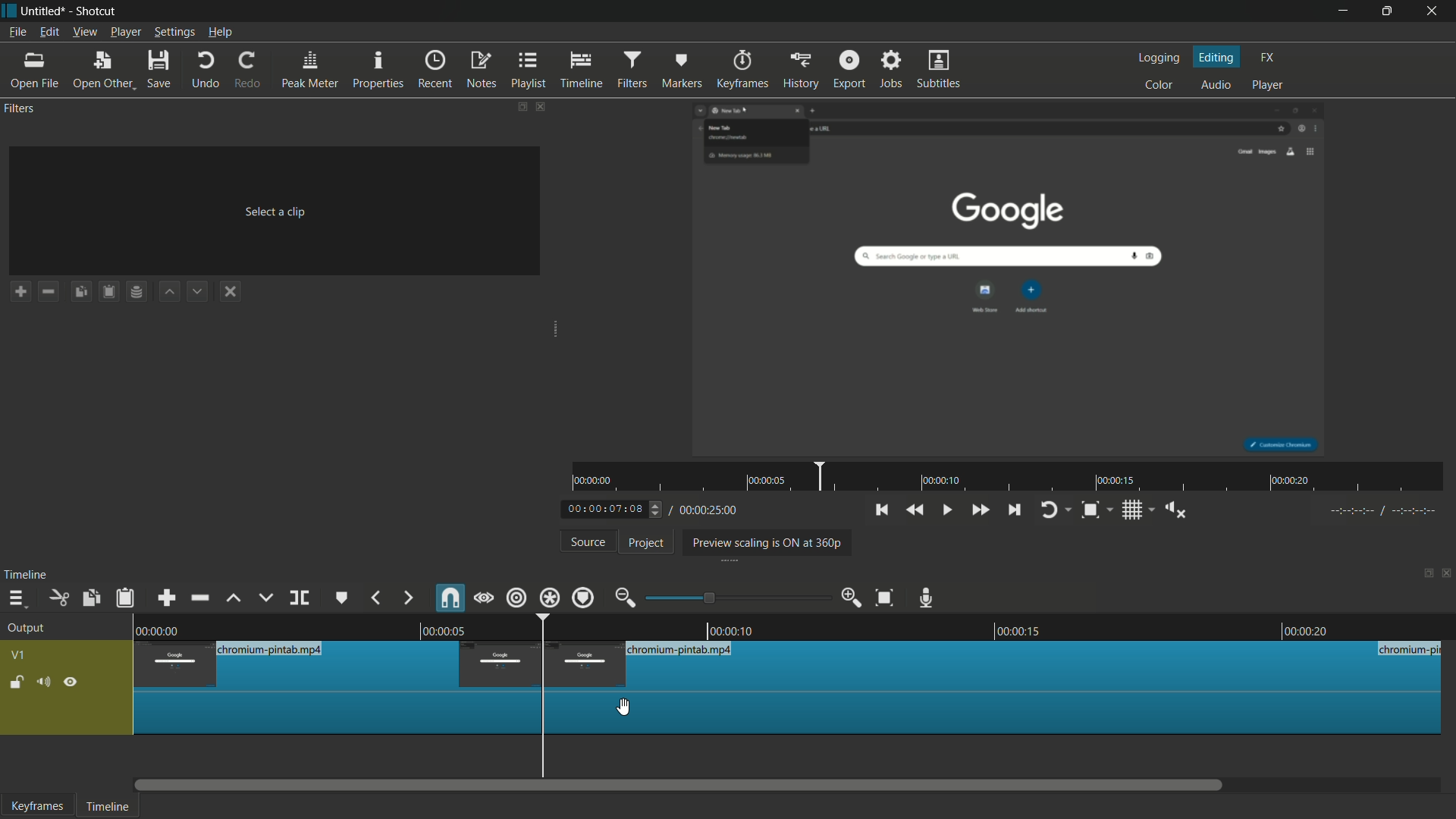  What do you see at coordinates (128, 598) in the screenshot?
I see `paste` at bounding box center [128, 598].